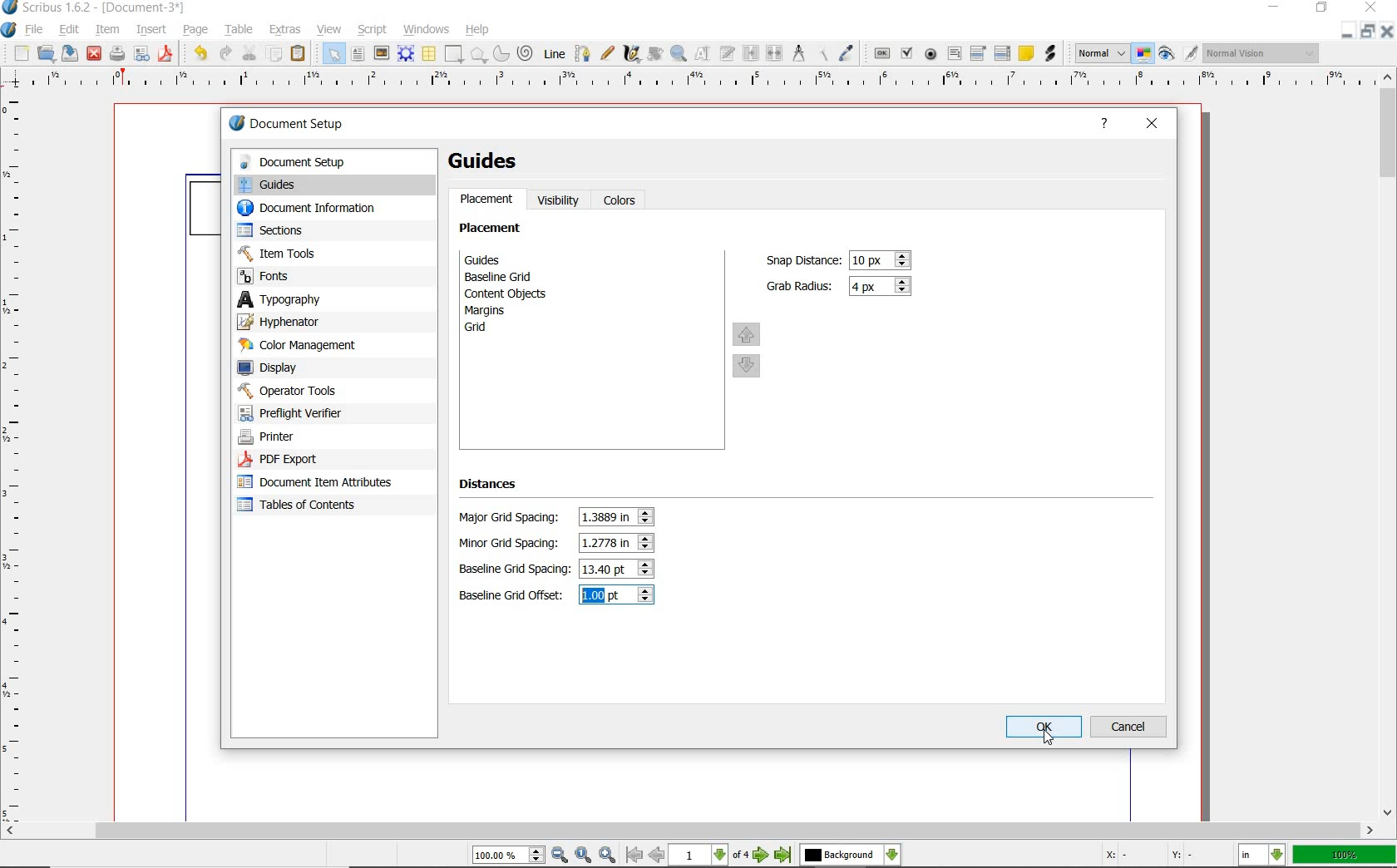 This screenshot has height=868, width=1397. Describe the element at coordinates (689, 832) in the screenshot. I see `scrollbar` at that location.